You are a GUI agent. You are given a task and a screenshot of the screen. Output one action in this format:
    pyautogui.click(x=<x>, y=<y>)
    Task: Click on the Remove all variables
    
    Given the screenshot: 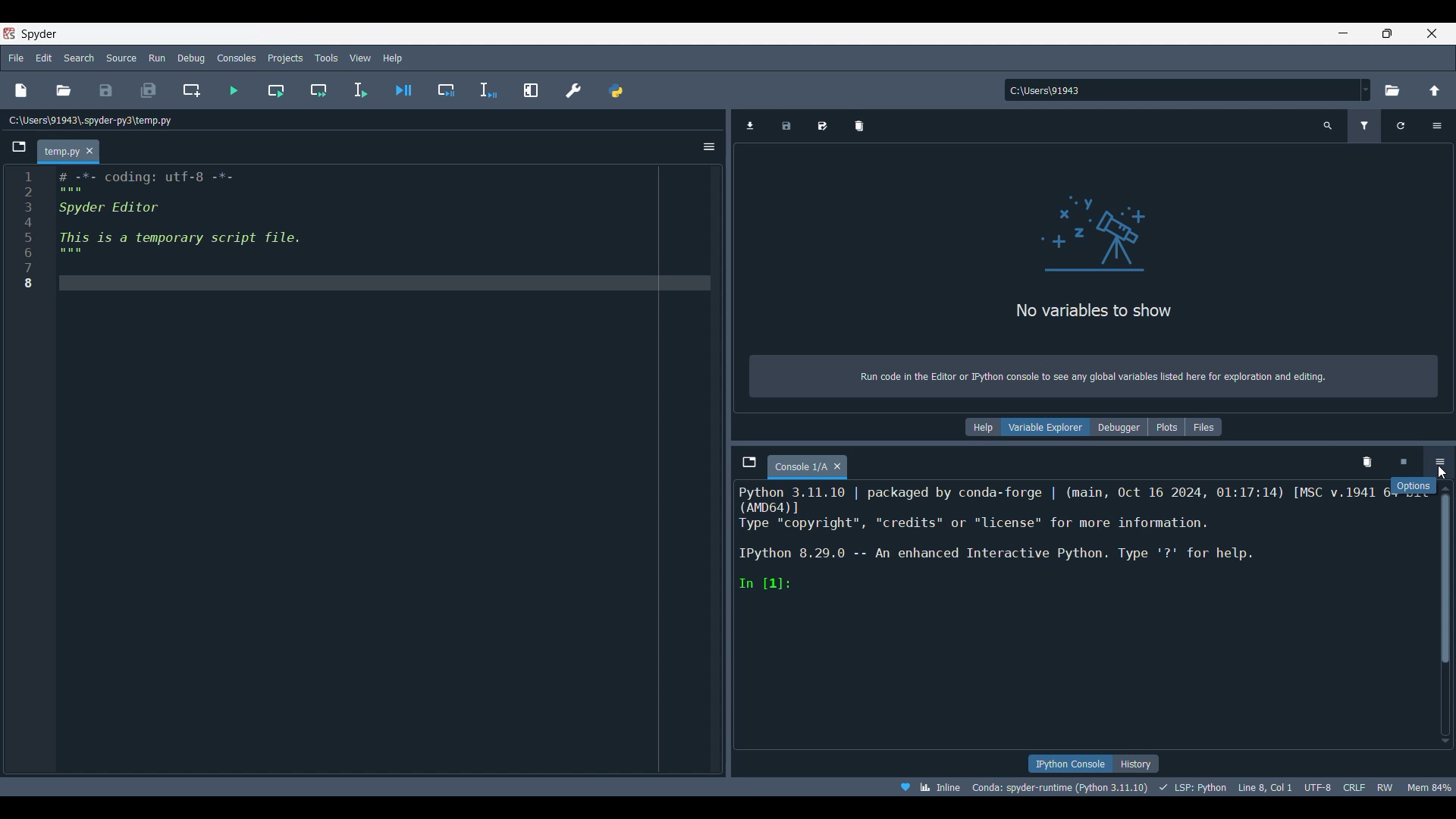 What is the action you would take?
    pyautogui.click(x=859, y=126)
    